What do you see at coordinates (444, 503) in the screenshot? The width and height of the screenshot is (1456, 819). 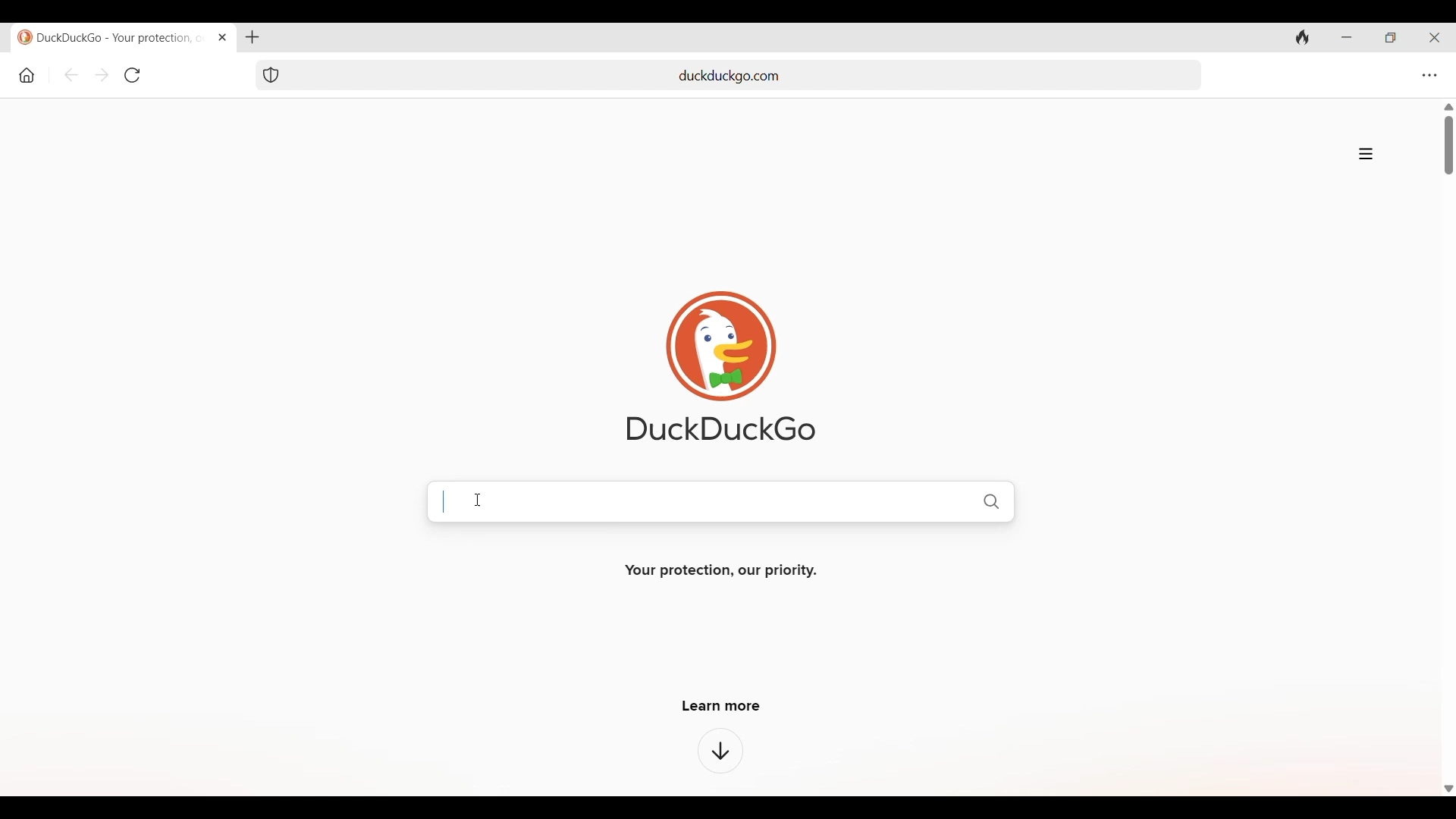 I see `typing strated` at bounding box center [444, 503].